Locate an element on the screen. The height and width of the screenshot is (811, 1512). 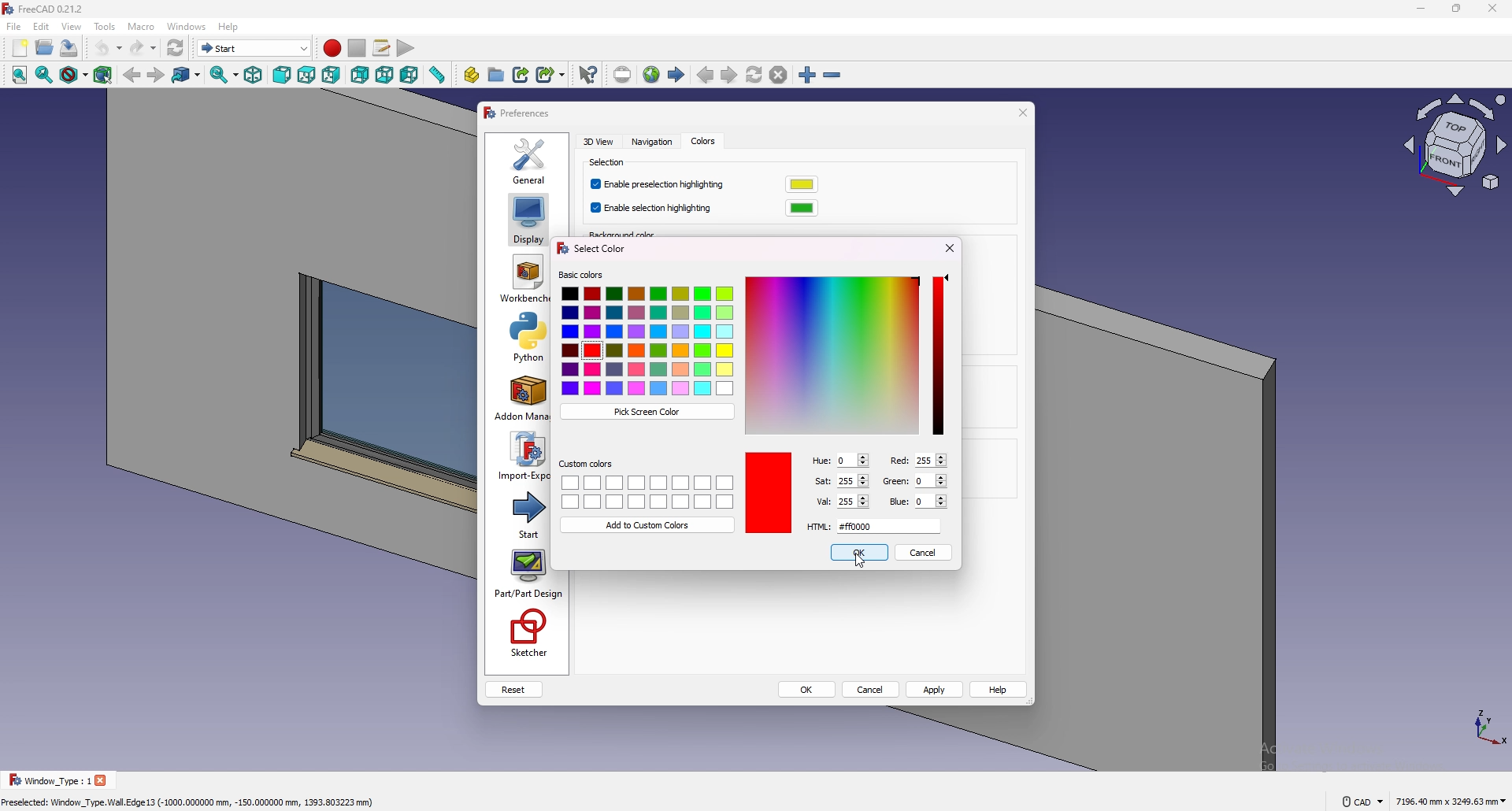
isometric is located at coordinates (254, 76).